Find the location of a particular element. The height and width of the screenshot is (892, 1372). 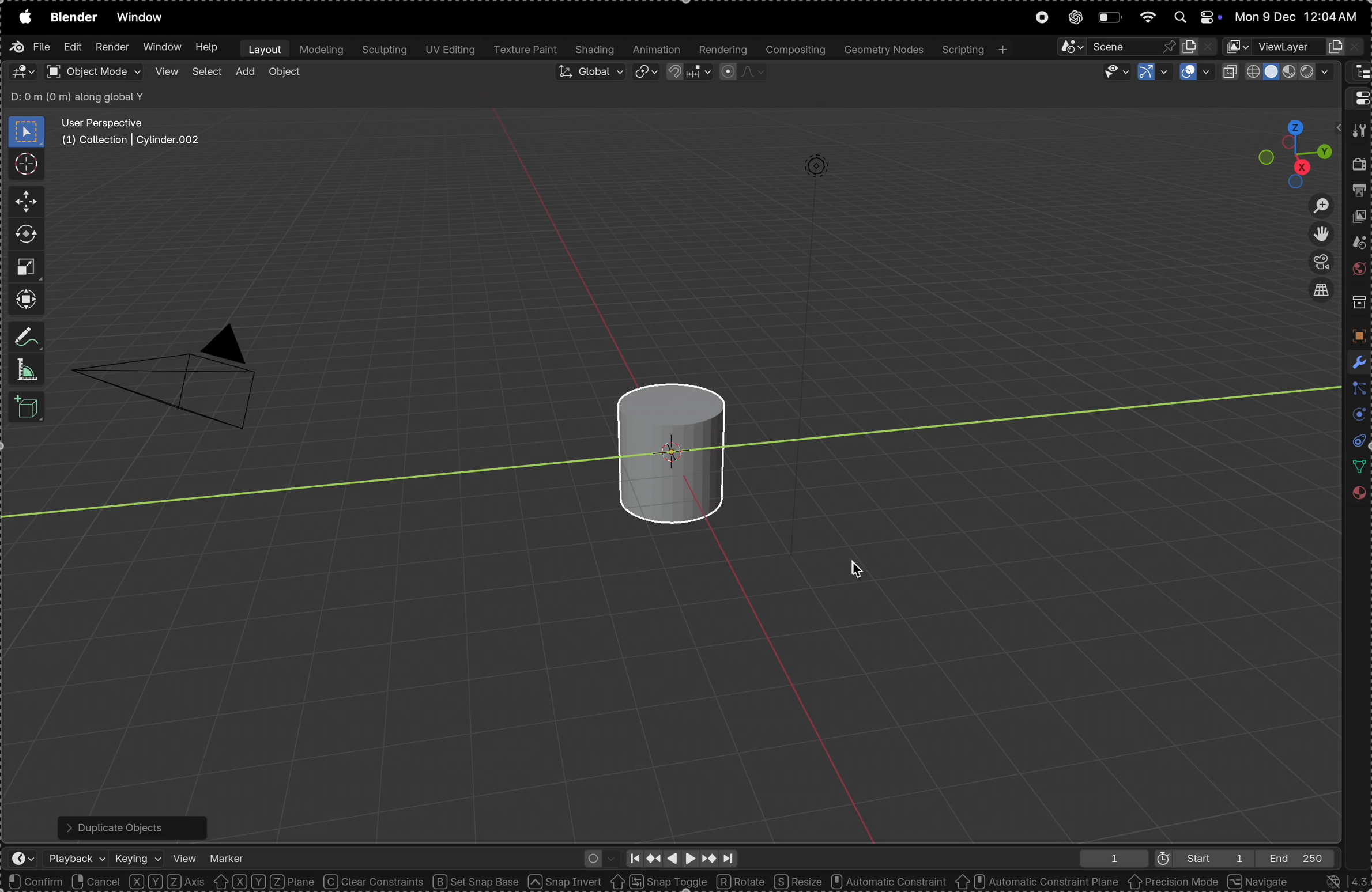

modelling is located at coordinates (321, 49).